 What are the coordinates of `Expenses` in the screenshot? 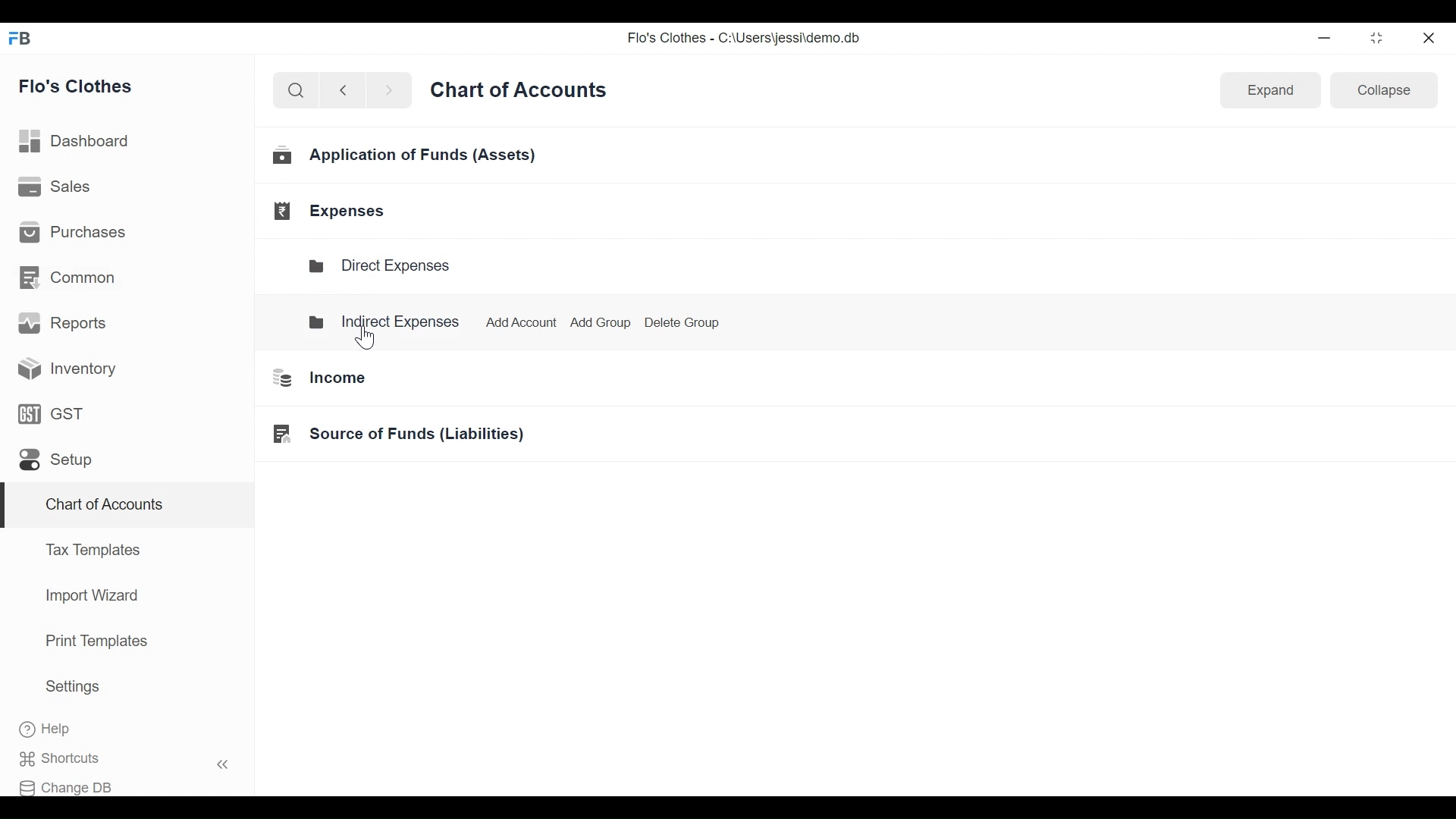 It's located at (332, 211).